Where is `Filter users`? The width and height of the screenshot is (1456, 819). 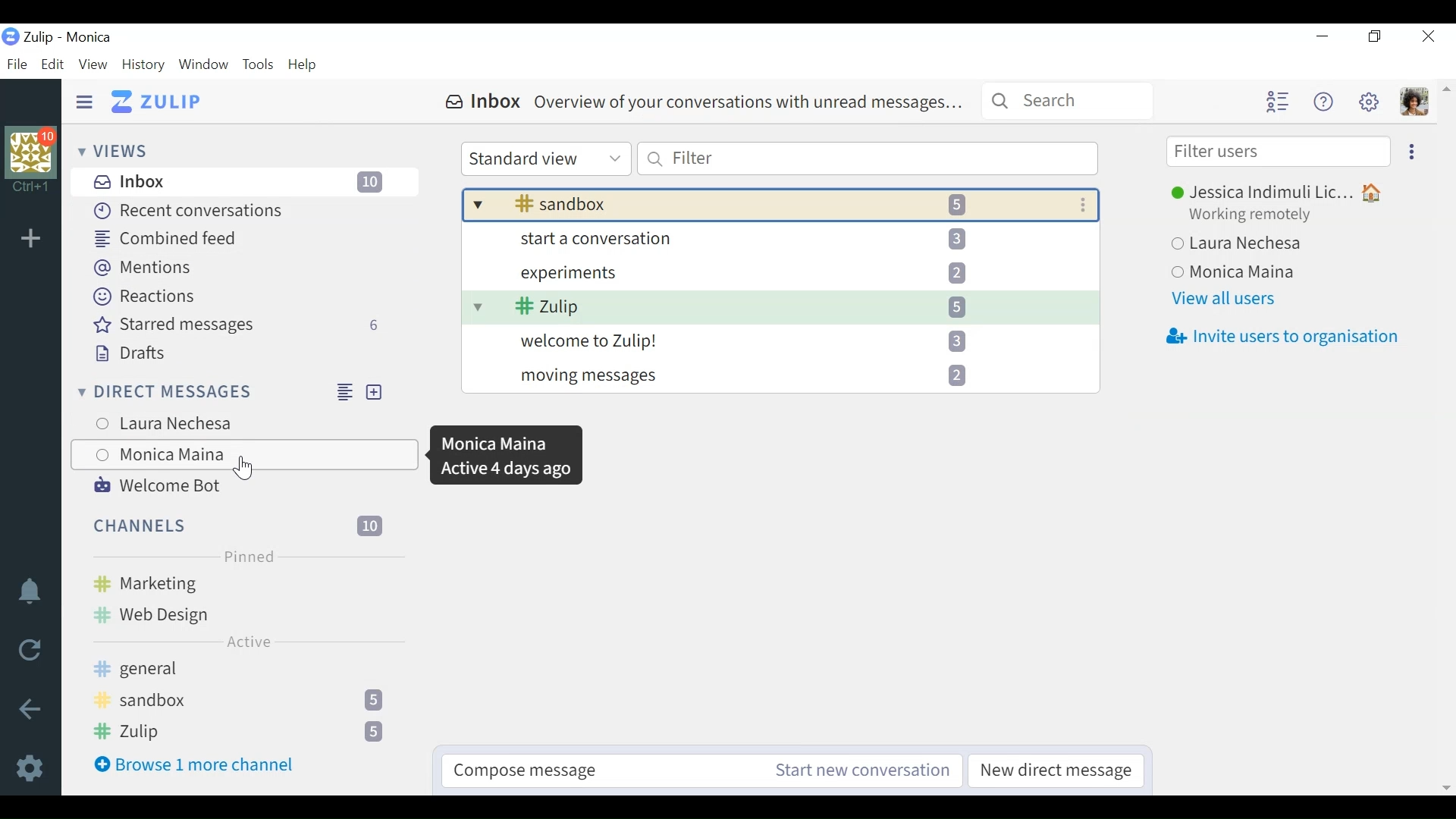
Filter users is located at coordinates (1278, 152).